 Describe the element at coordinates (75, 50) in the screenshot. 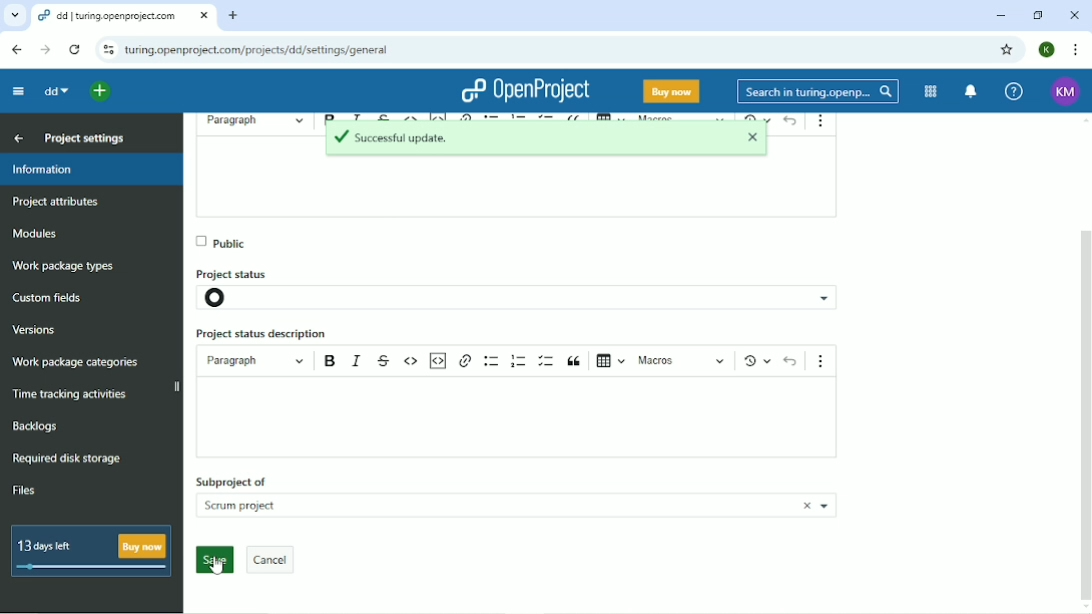

I see `Reload this page` at that location.